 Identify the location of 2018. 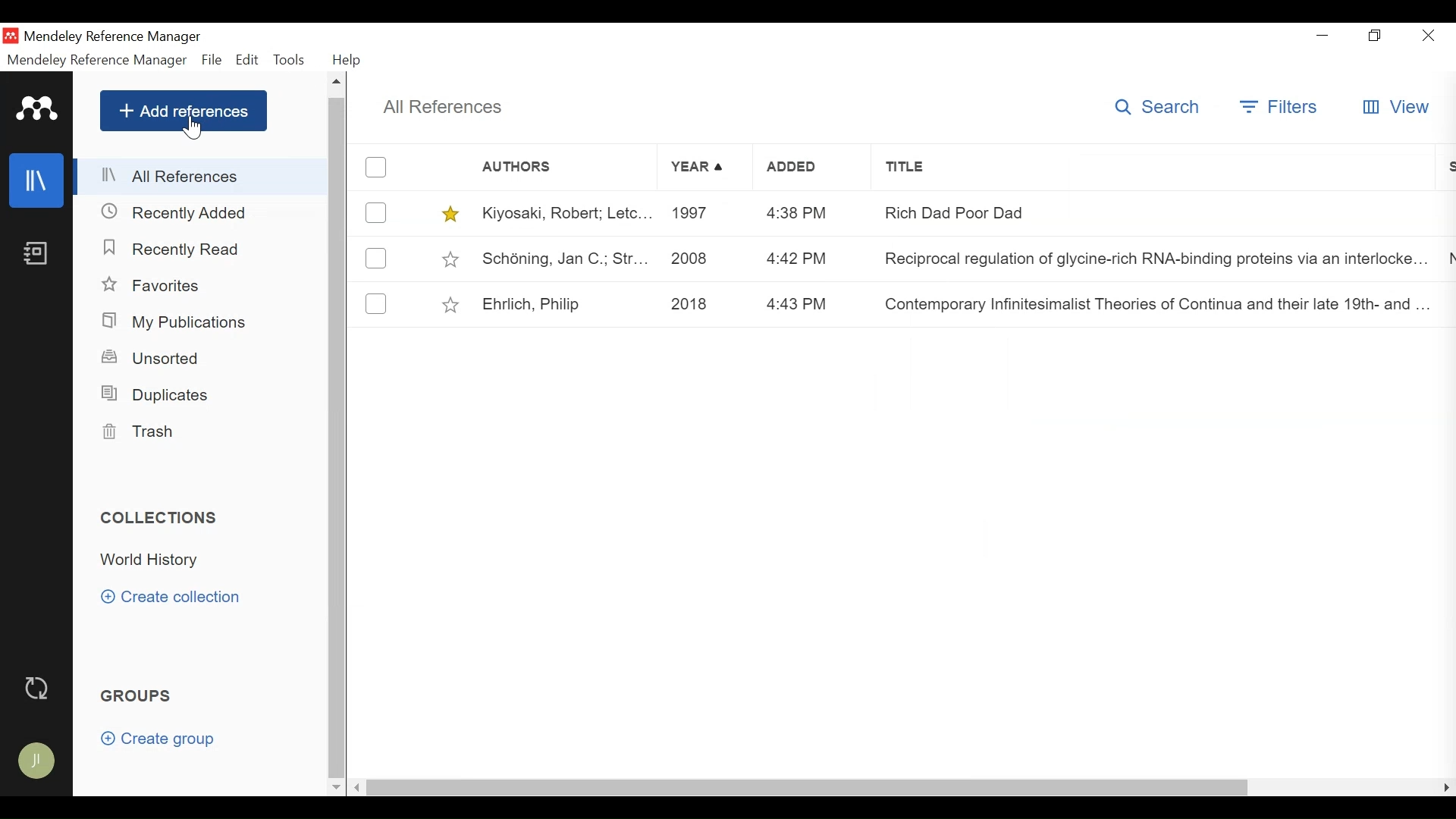
(704, 305).